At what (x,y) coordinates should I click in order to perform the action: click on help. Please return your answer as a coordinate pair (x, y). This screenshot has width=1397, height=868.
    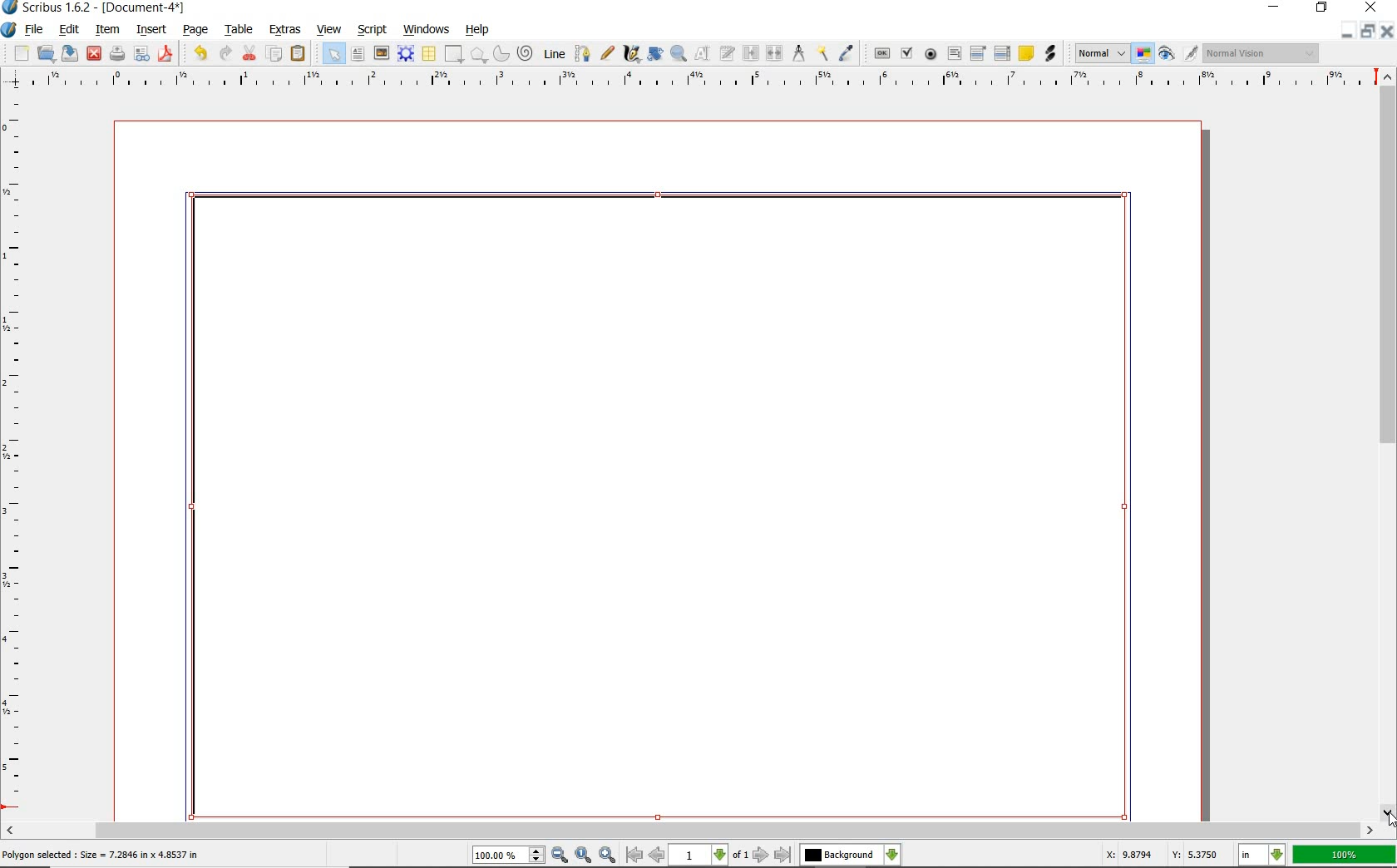
    Looking at the image, I should click on (479, 31).